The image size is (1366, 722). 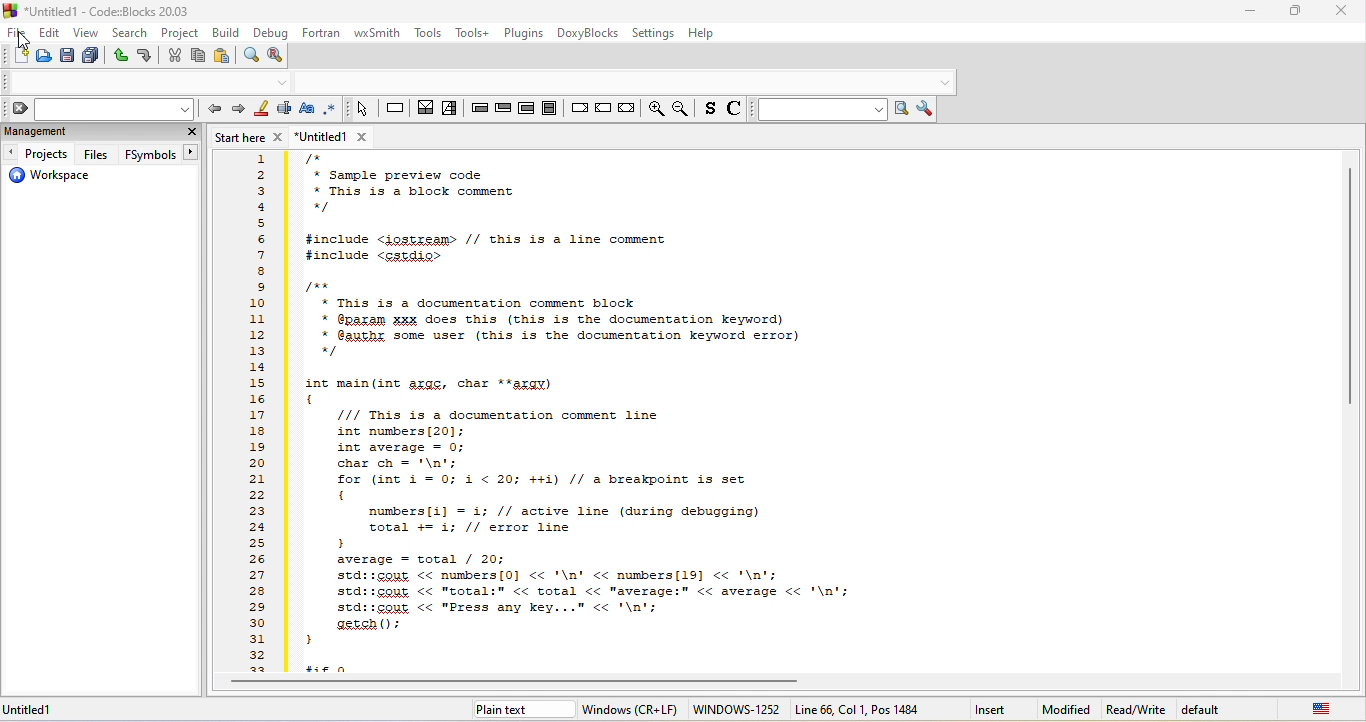 What do you see at coordinates (395, 109) in the screenshot?
I see `instruction` at bounding box center [395, 109].